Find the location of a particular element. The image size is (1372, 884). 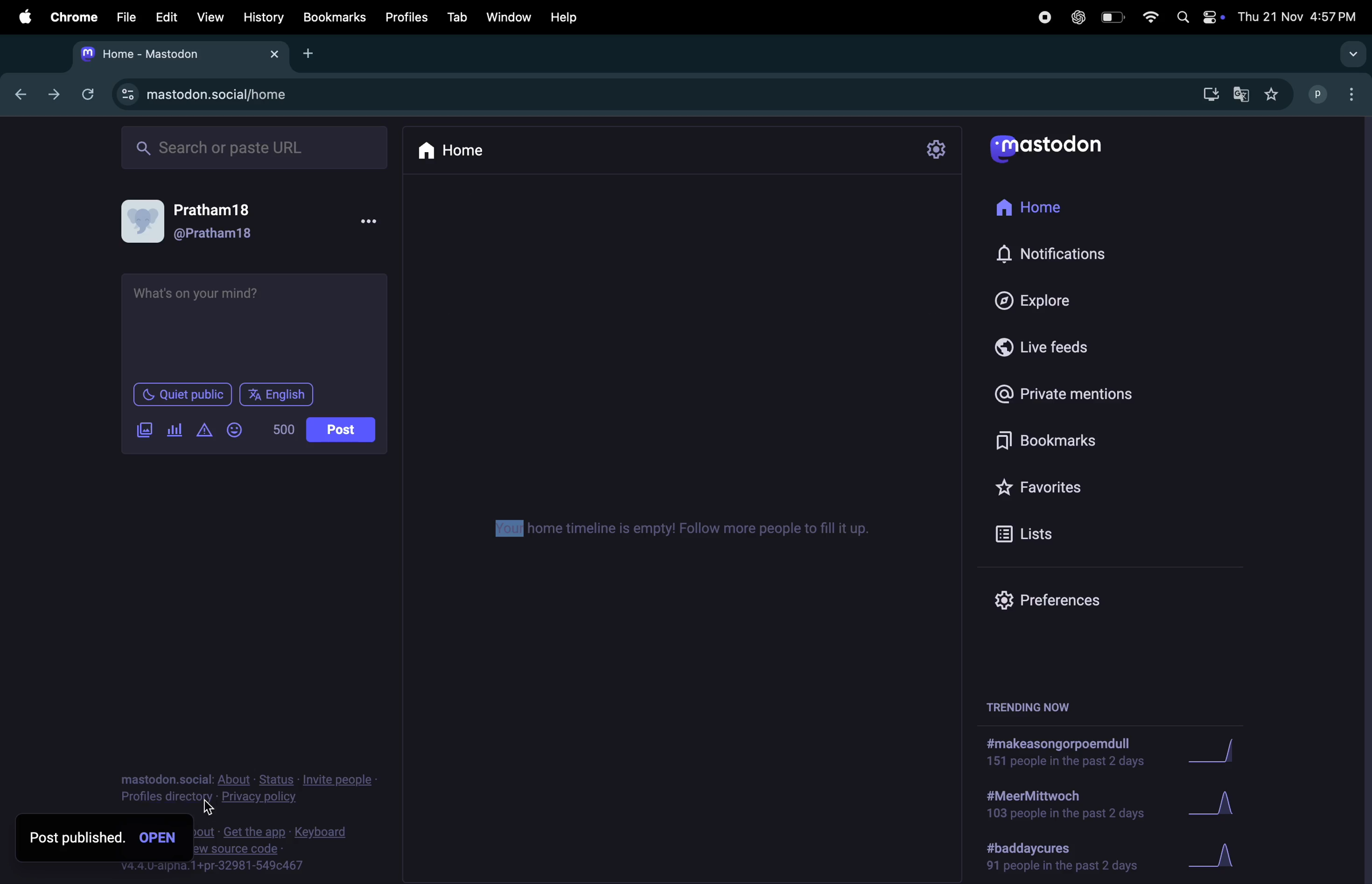

notifications is located at coordinates (1061, 253).